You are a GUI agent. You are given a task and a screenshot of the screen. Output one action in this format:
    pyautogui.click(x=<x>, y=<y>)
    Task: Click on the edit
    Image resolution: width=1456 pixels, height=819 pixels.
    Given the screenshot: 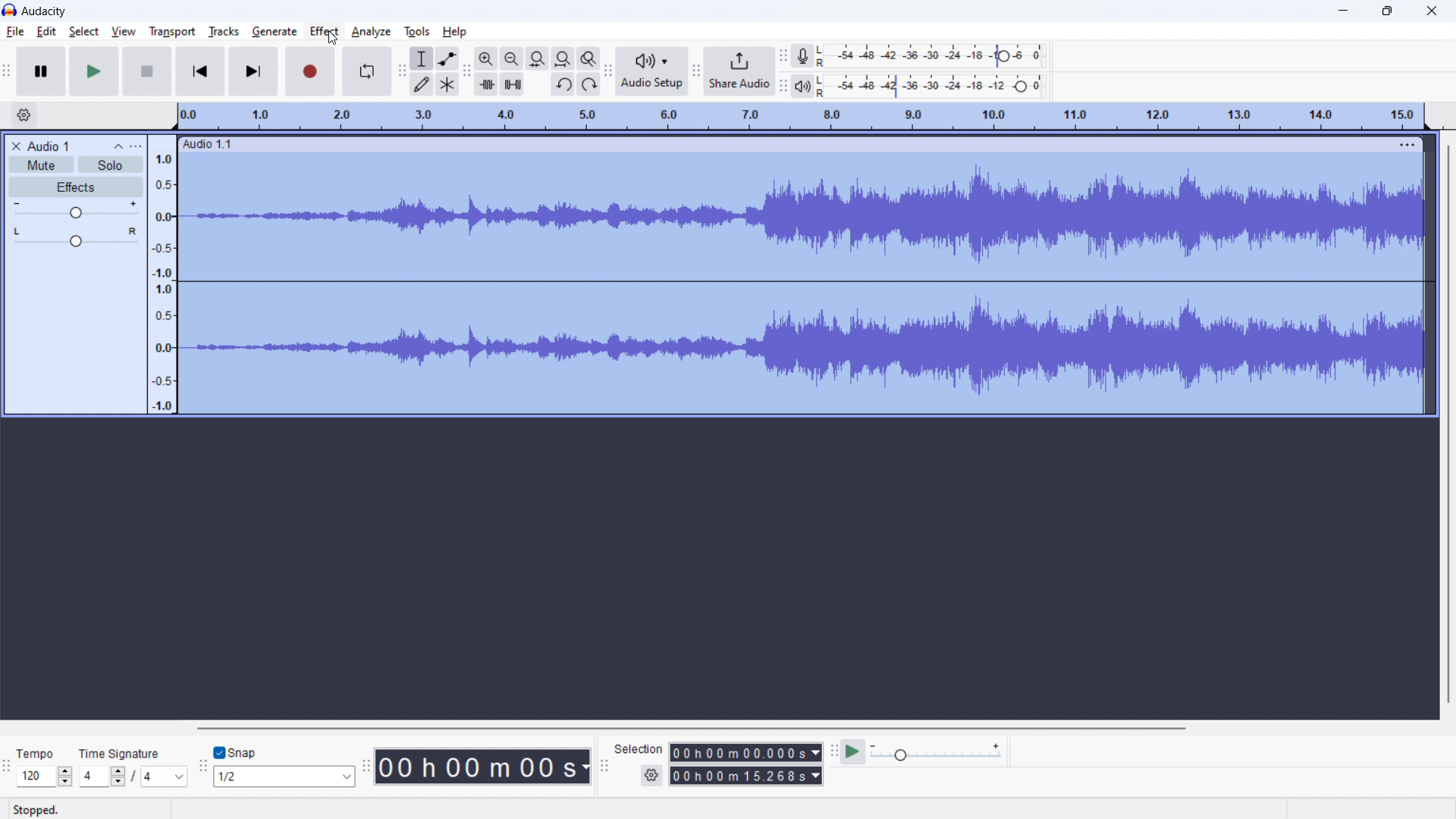 What is the action you would take?
    pyautogui.click(x=47, y=31)
    